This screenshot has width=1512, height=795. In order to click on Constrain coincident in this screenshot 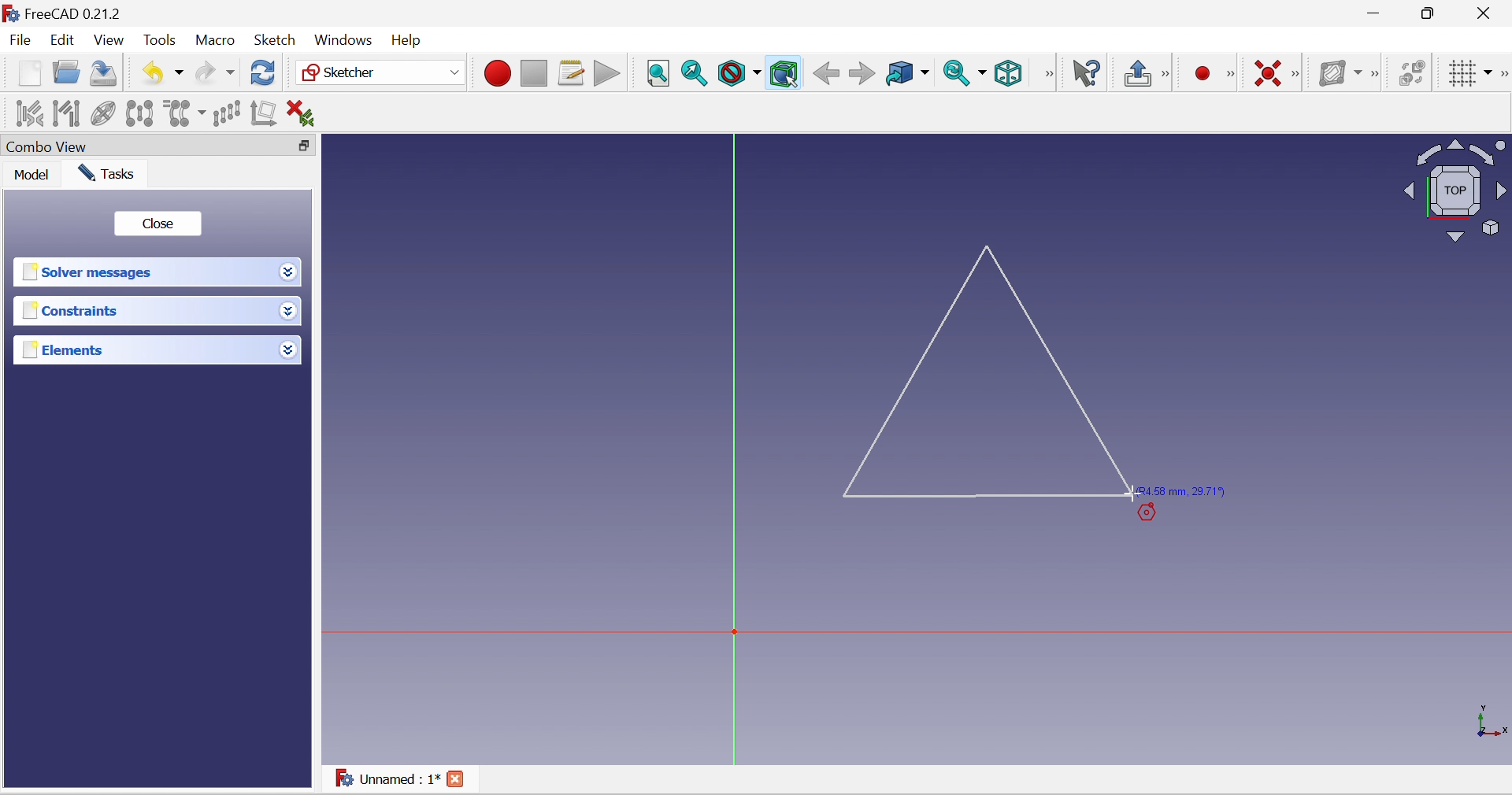, I will do `click(1269, 74)`.